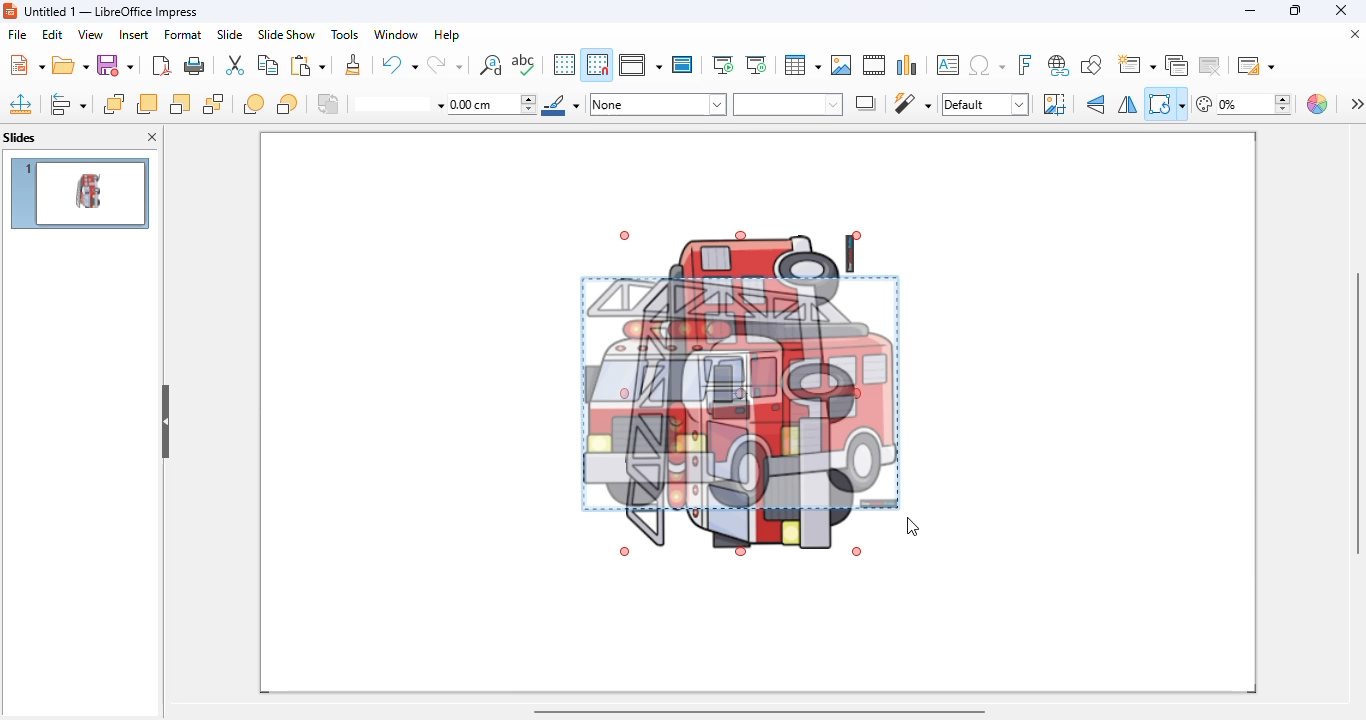  I want to click on tools, so click(344, 34).